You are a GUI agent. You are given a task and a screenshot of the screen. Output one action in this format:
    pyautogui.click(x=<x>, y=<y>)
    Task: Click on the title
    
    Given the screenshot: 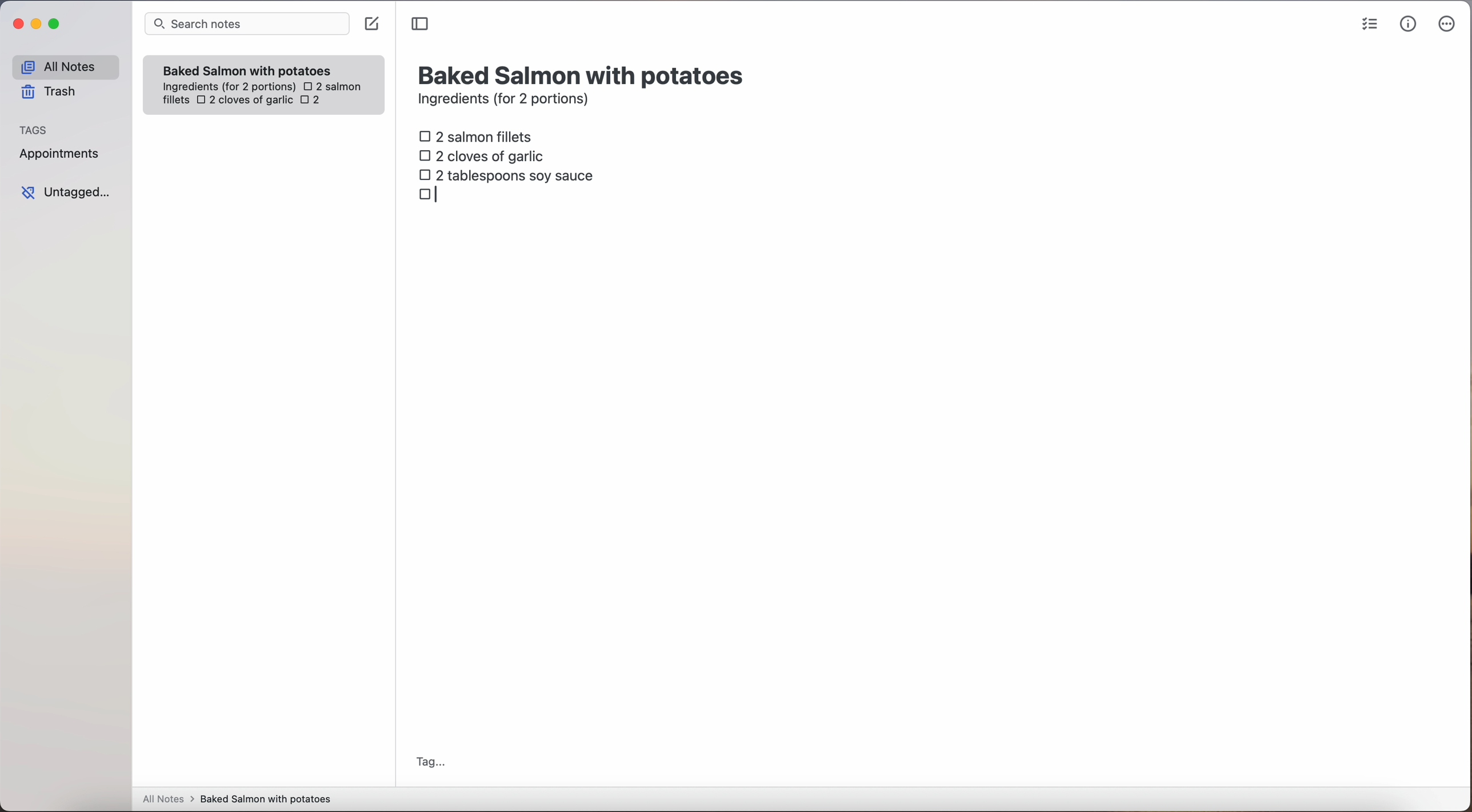 What is the action you would take?
    pyautogui.click(x=583, y=74)
    